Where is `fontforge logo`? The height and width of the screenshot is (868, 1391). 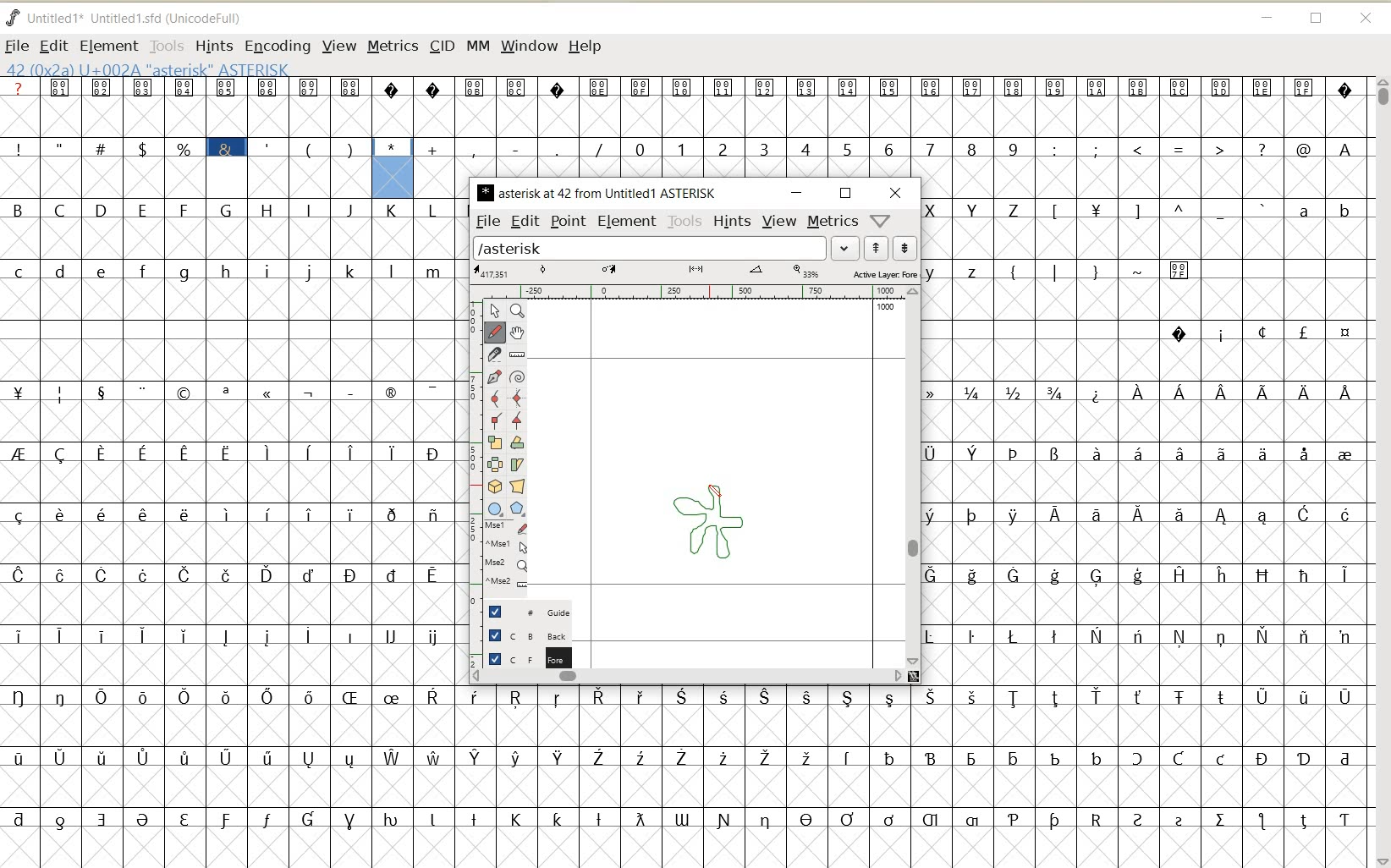
fontforge logo is located at coordinates (14, 16).